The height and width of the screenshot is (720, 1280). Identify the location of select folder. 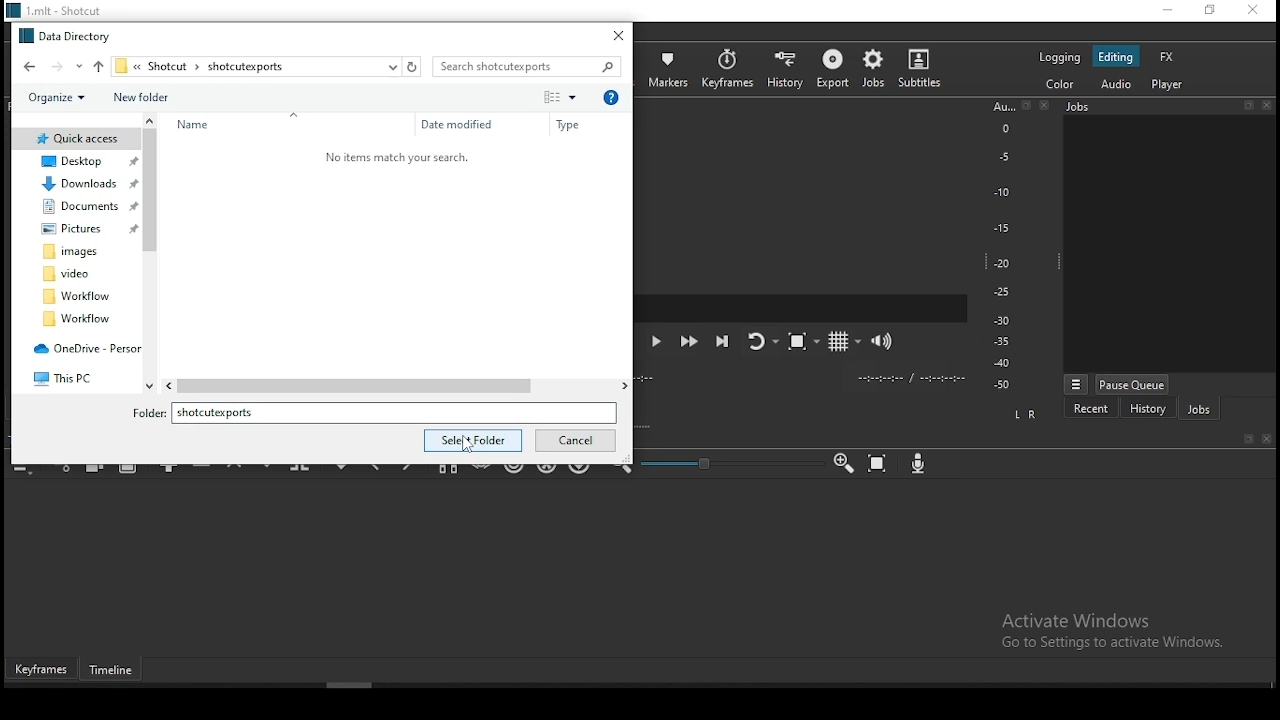
(473, 440).